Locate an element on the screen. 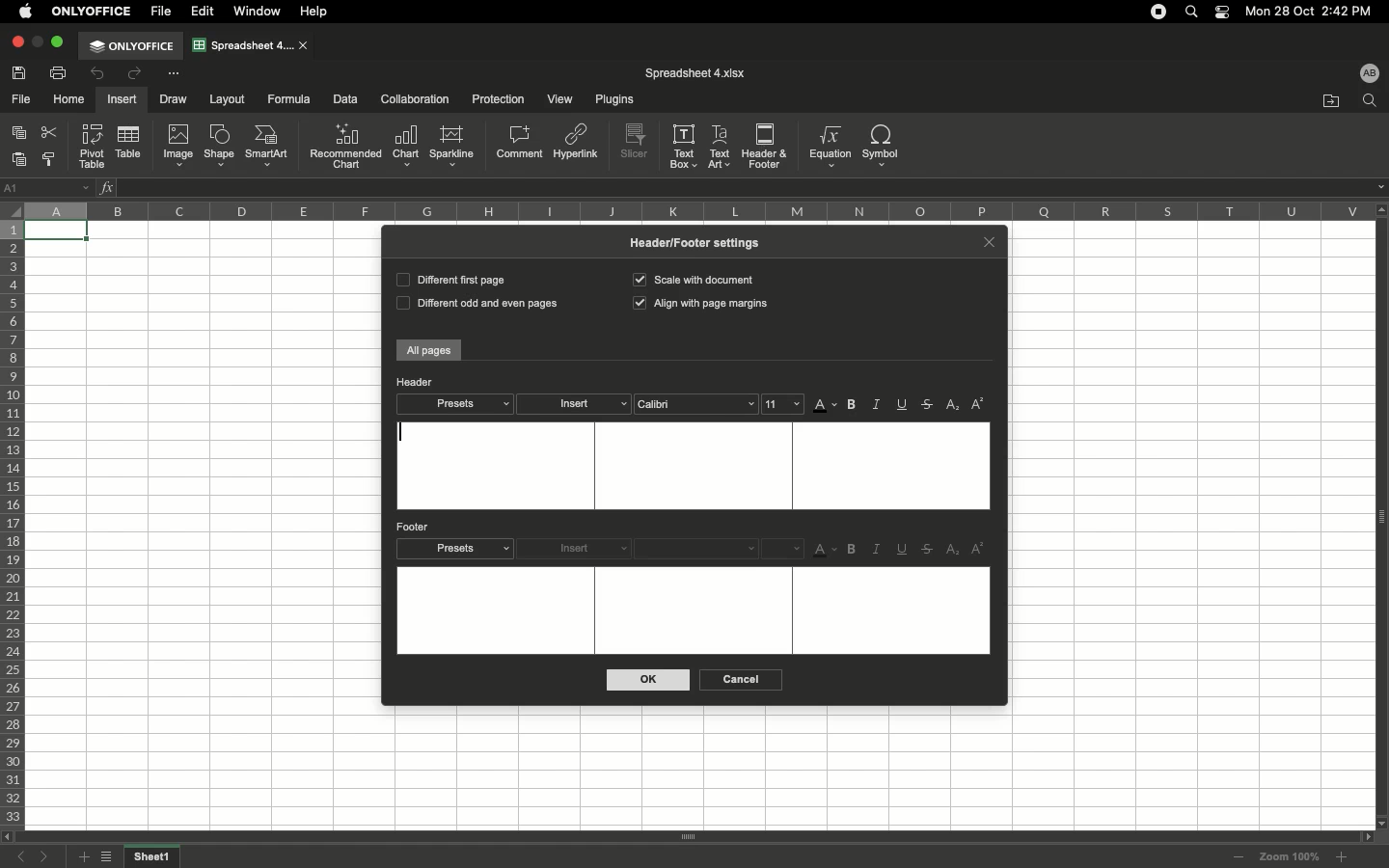 The height and width of the screenshot is (868, 1389). Print is located at coordinates (60, 72).